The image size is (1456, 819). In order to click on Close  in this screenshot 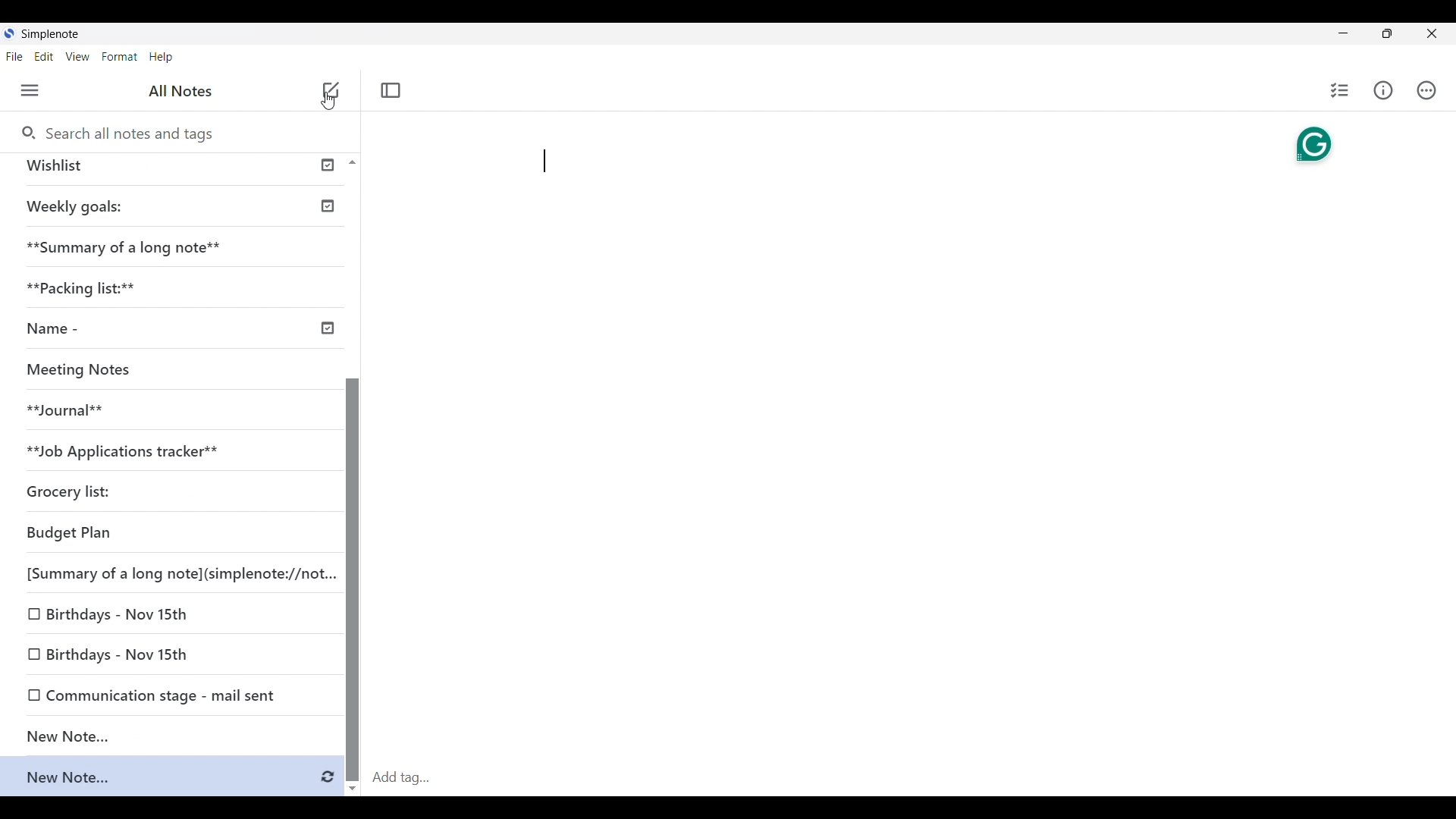, I will do `click(1432, 33)`.